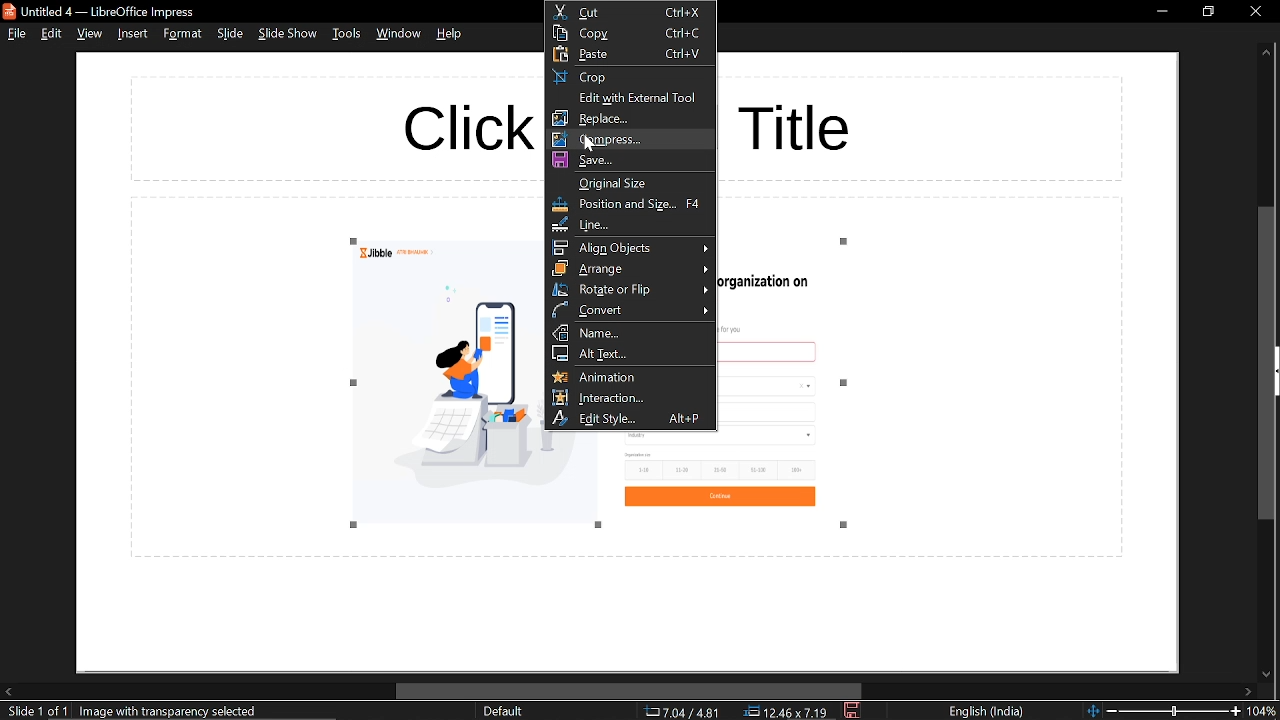 The height and width of the screenshot is (720, 1280). What do you see at coordinates (629, 183) in the screenshot?
I see `original size` at bounding box center [629, 183].